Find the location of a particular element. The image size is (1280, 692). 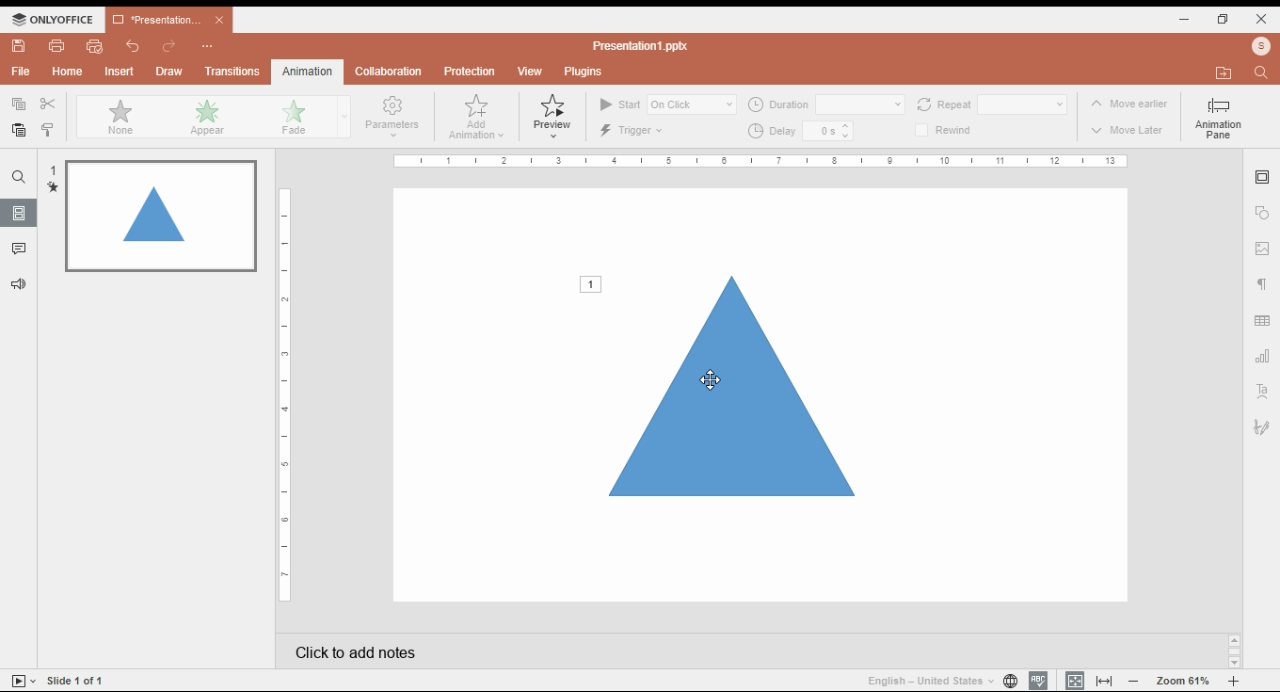

find is located at coordinates (1262, 73).